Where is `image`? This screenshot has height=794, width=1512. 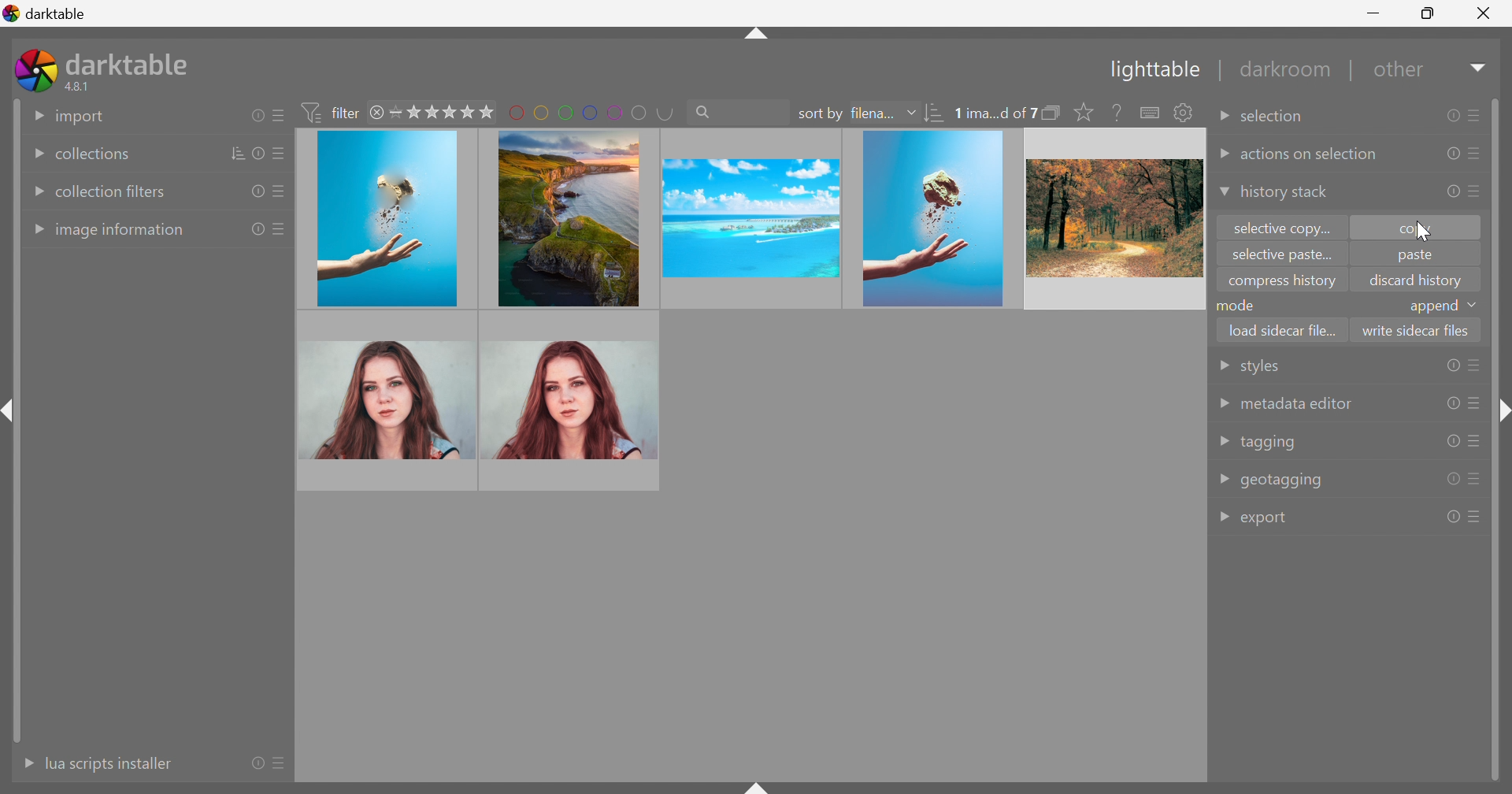
image is located at coordinates (1113, 218).